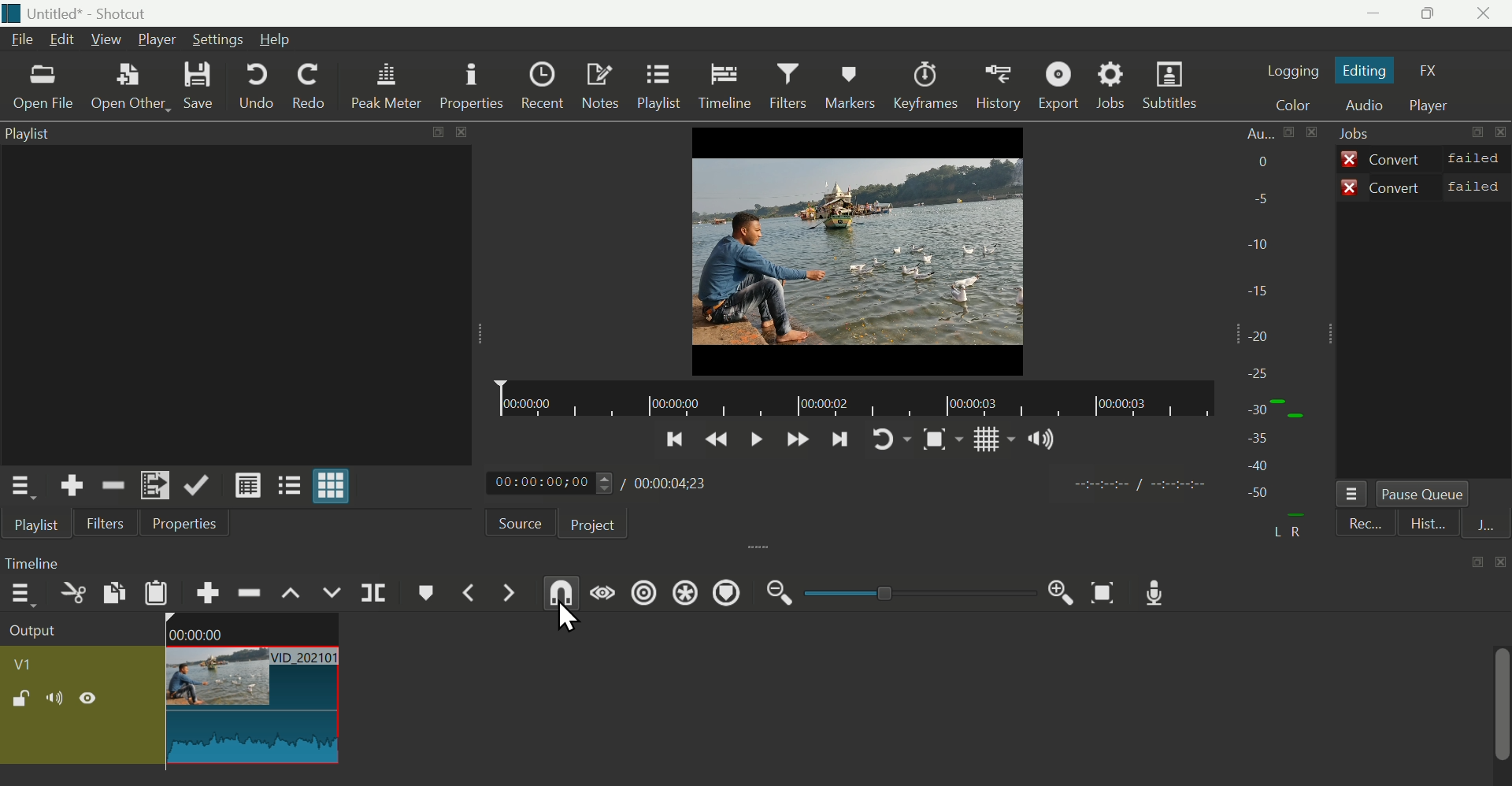 This screenshot has width=1512, height=786. Describe the element at coordinates (1380, 14) in the screenshot. I see `Minimize` at that location.